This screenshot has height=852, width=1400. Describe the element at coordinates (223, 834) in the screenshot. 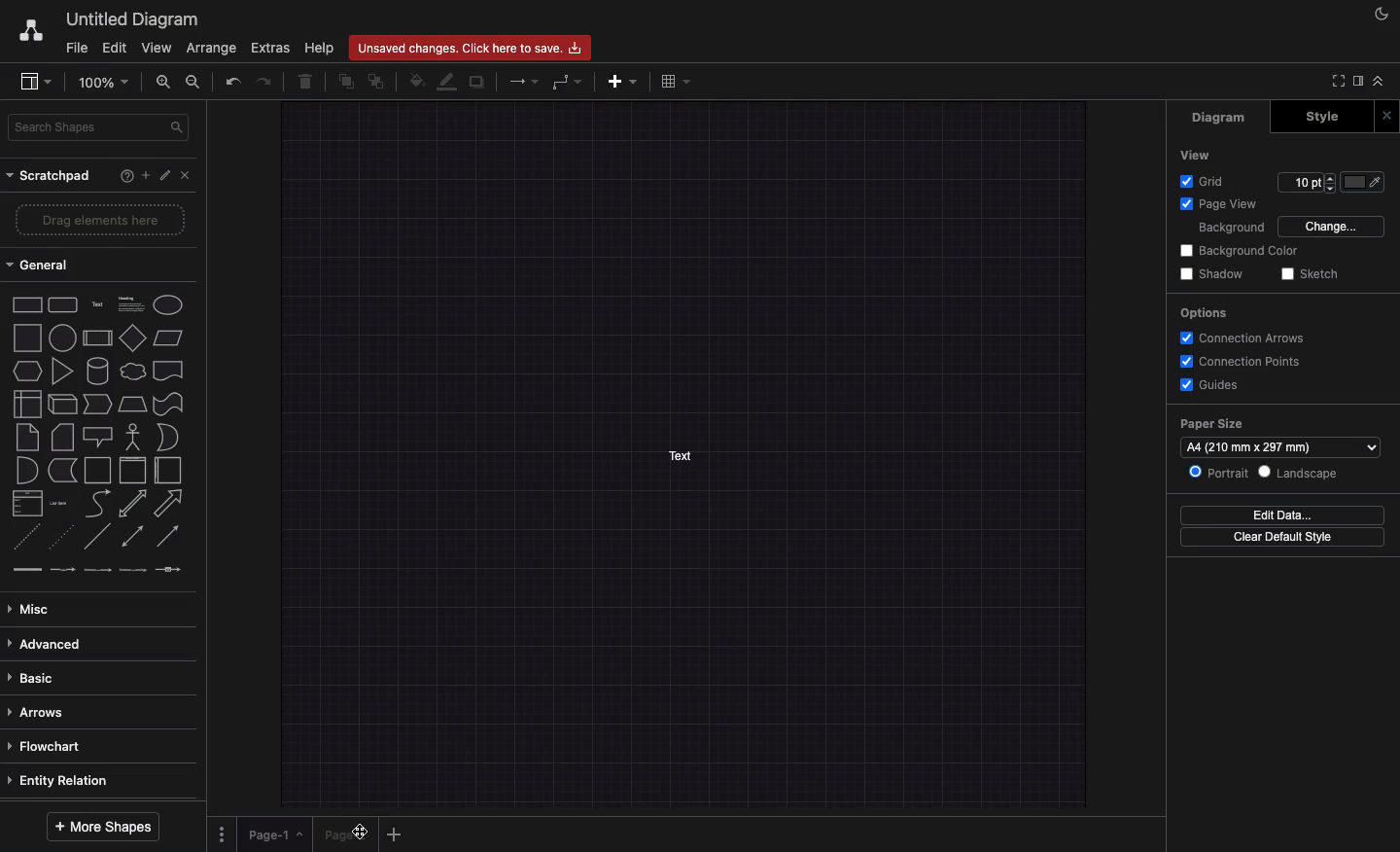

I see `Options` at that location.